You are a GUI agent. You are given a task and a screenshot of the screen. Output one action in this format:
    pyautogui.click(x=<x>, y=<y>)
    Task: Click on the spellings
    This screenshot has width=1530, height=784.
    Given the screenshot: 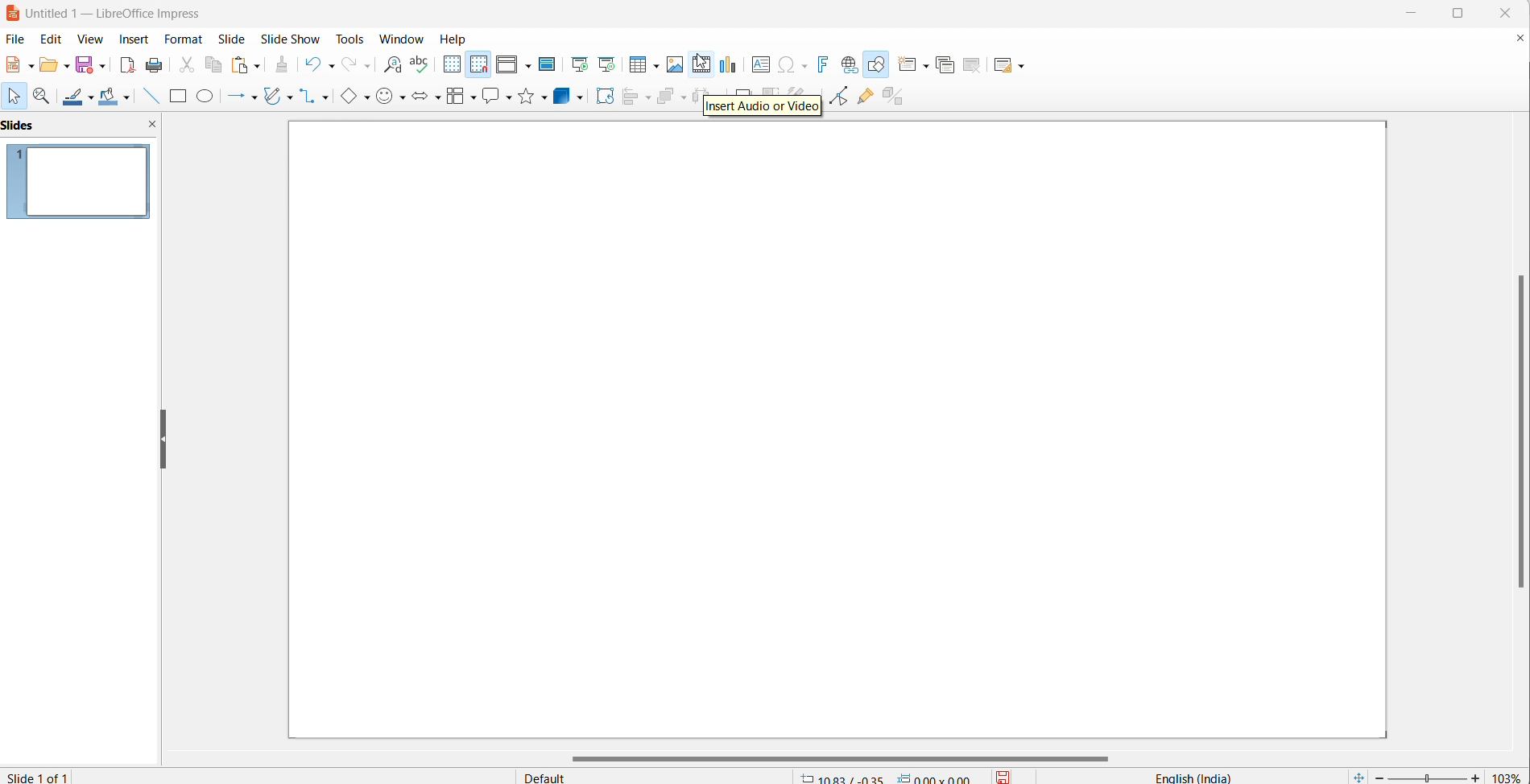 What is the action you would take?
    pyautogui.click(x=421, y=64)
    